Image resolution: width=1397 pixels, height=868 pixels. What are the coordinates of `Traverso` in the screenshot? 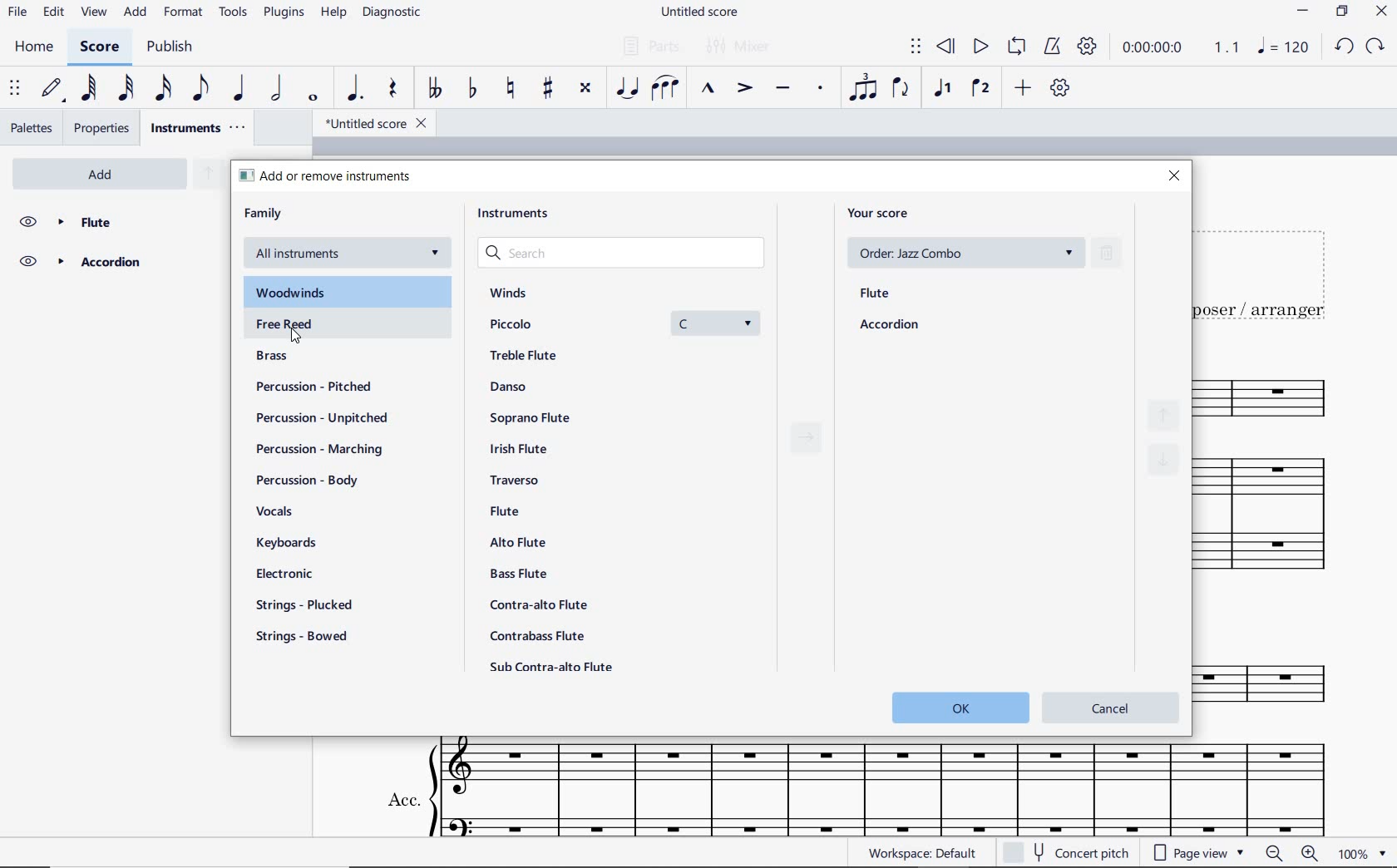 It's located at (517, 479).